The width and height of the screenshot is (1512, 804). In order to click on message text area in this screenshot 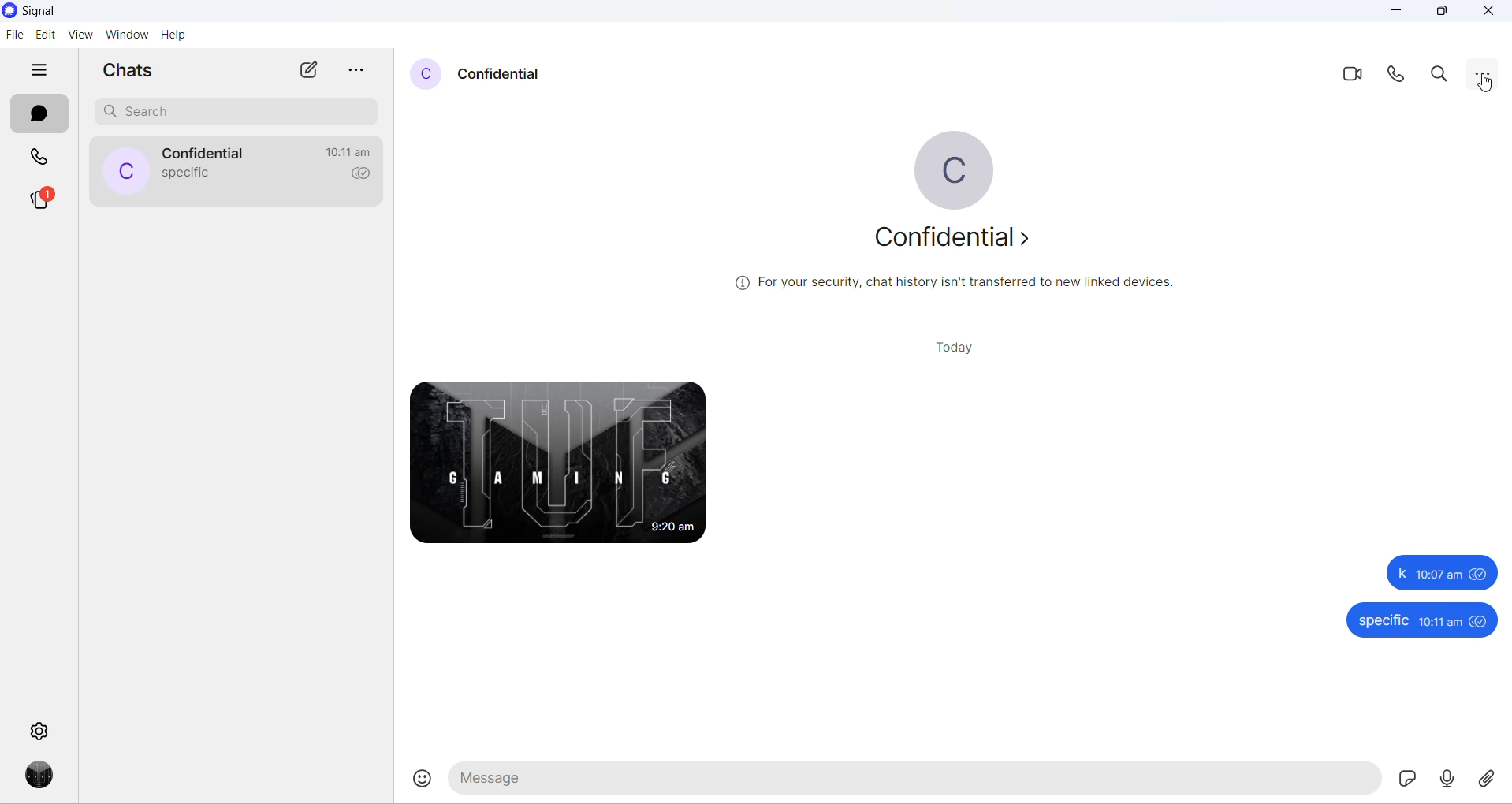, I will do `click(911, 781)`.